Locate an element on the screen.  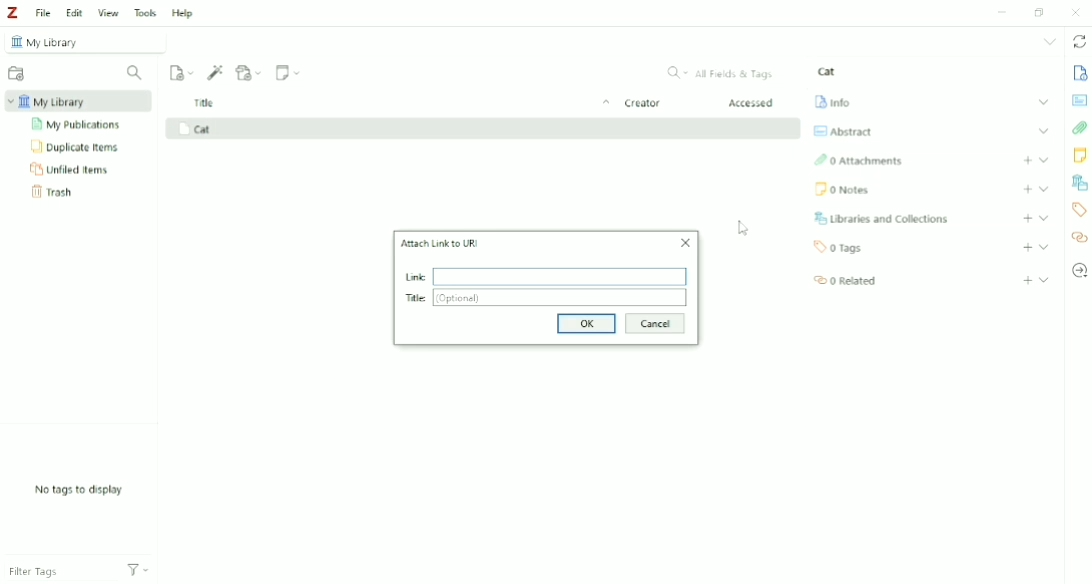
Attachments is located at coordinates (858, 161).